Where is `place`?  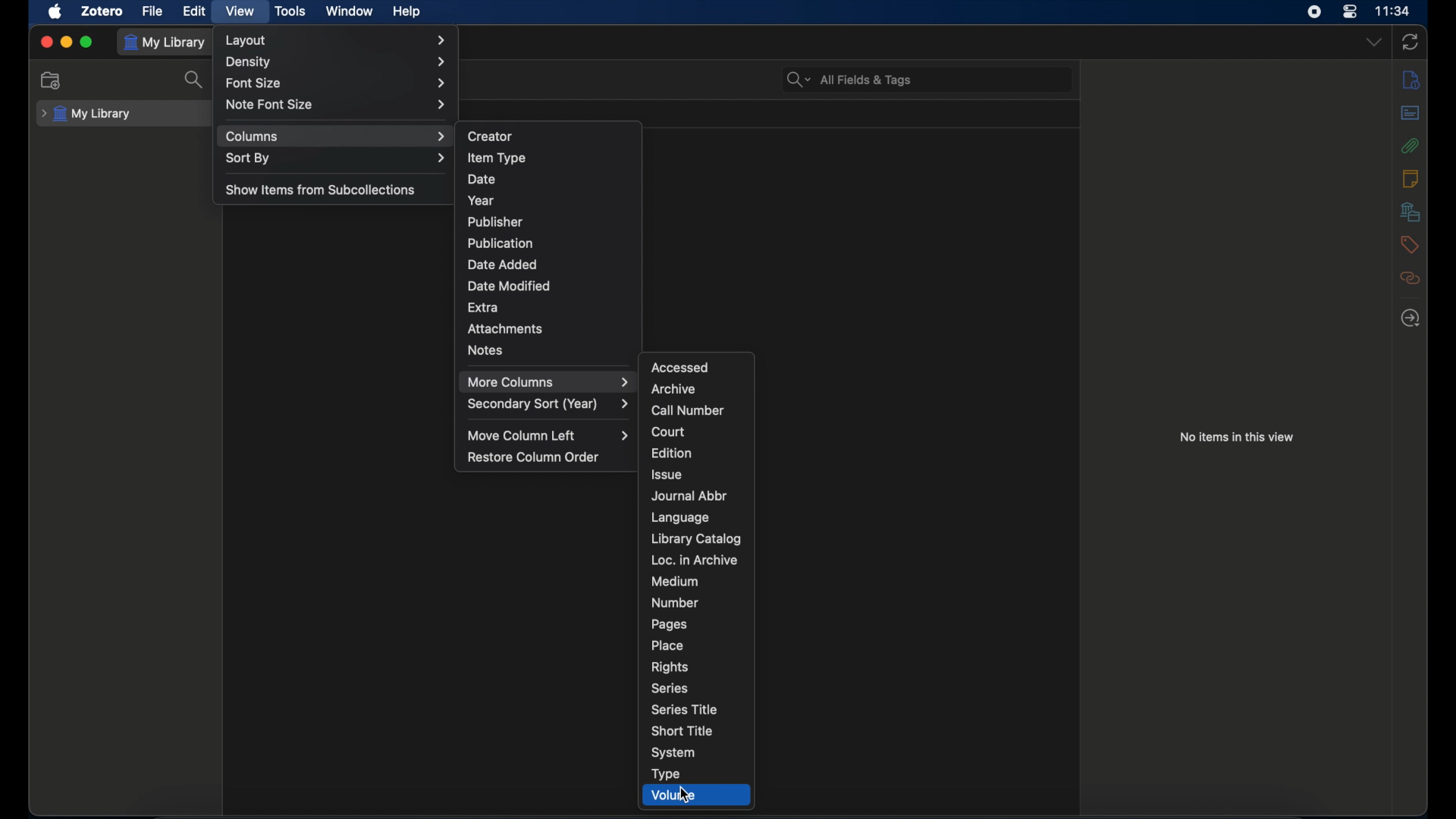 place is located at coordinates (667, 645).